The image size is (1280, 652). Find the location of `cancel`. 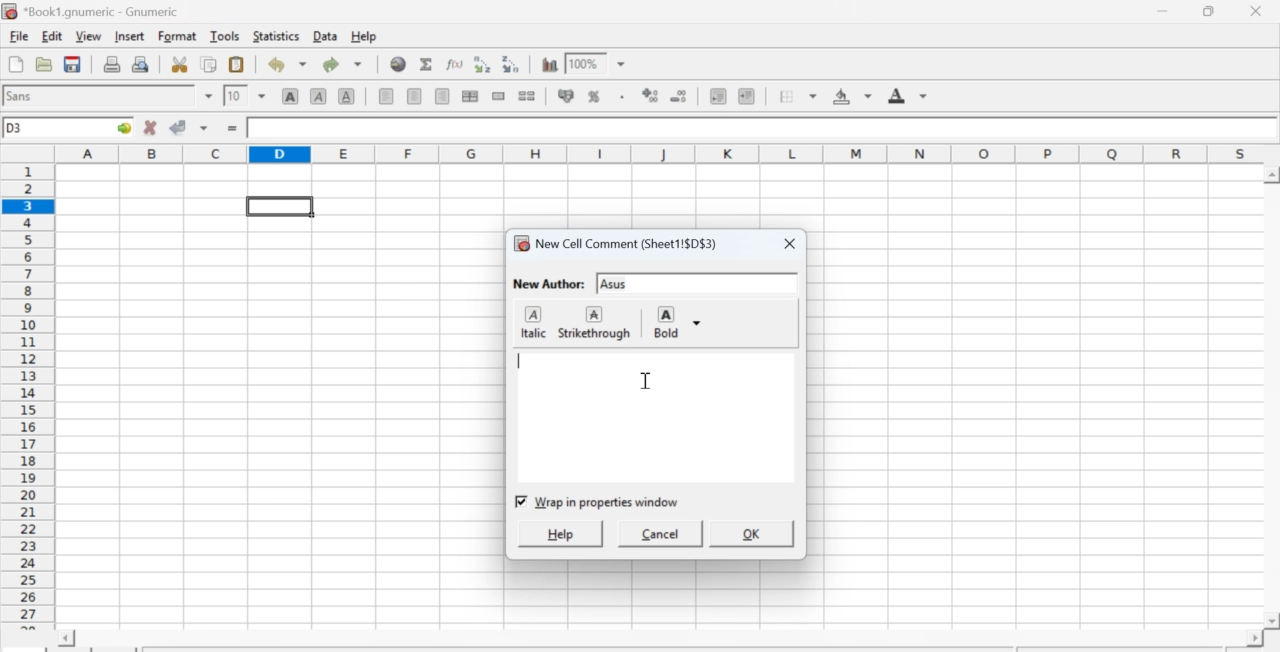

cancel is located at coordinates (658, 533).